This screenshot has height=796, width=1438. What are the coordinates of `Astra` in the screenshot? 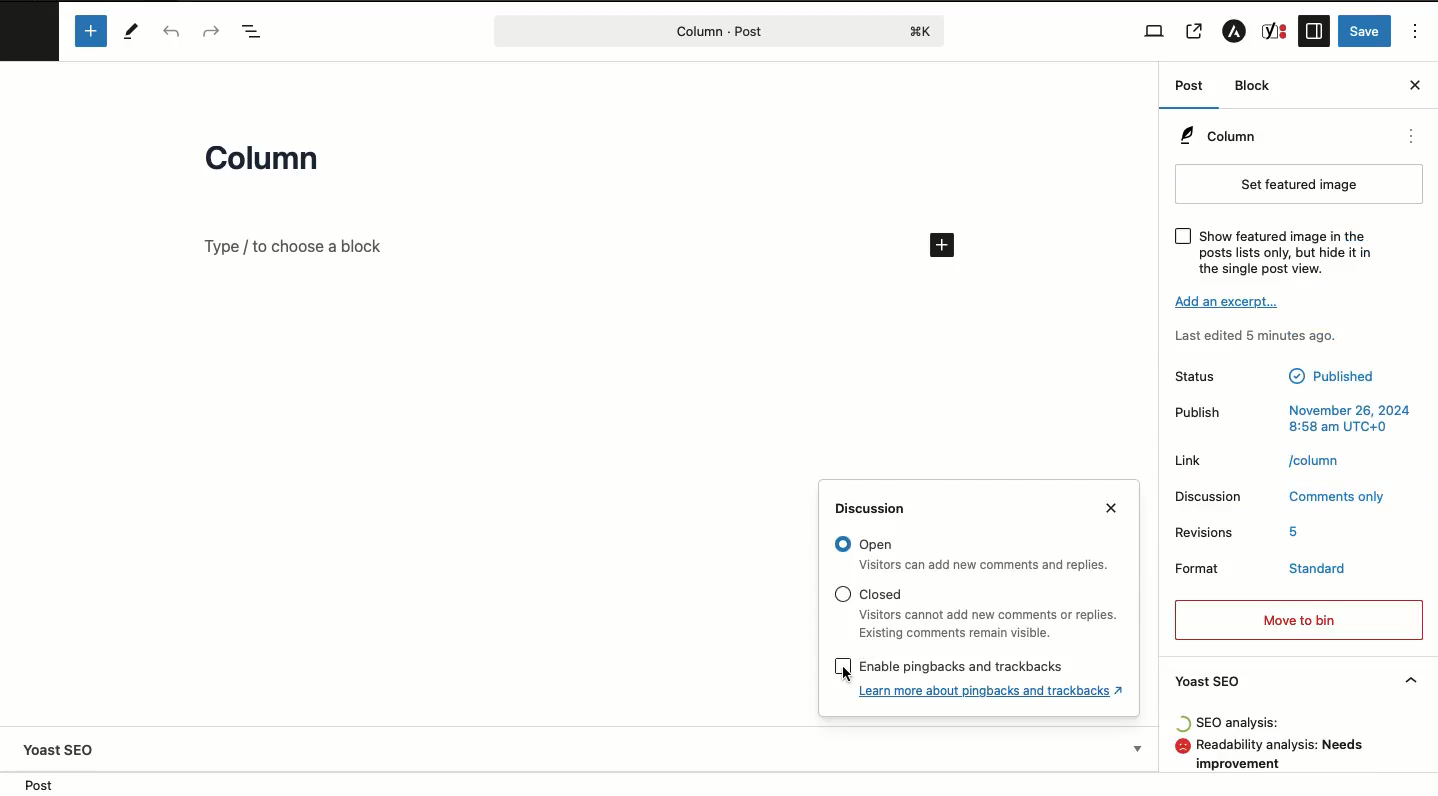 It's located at (1237, 31).